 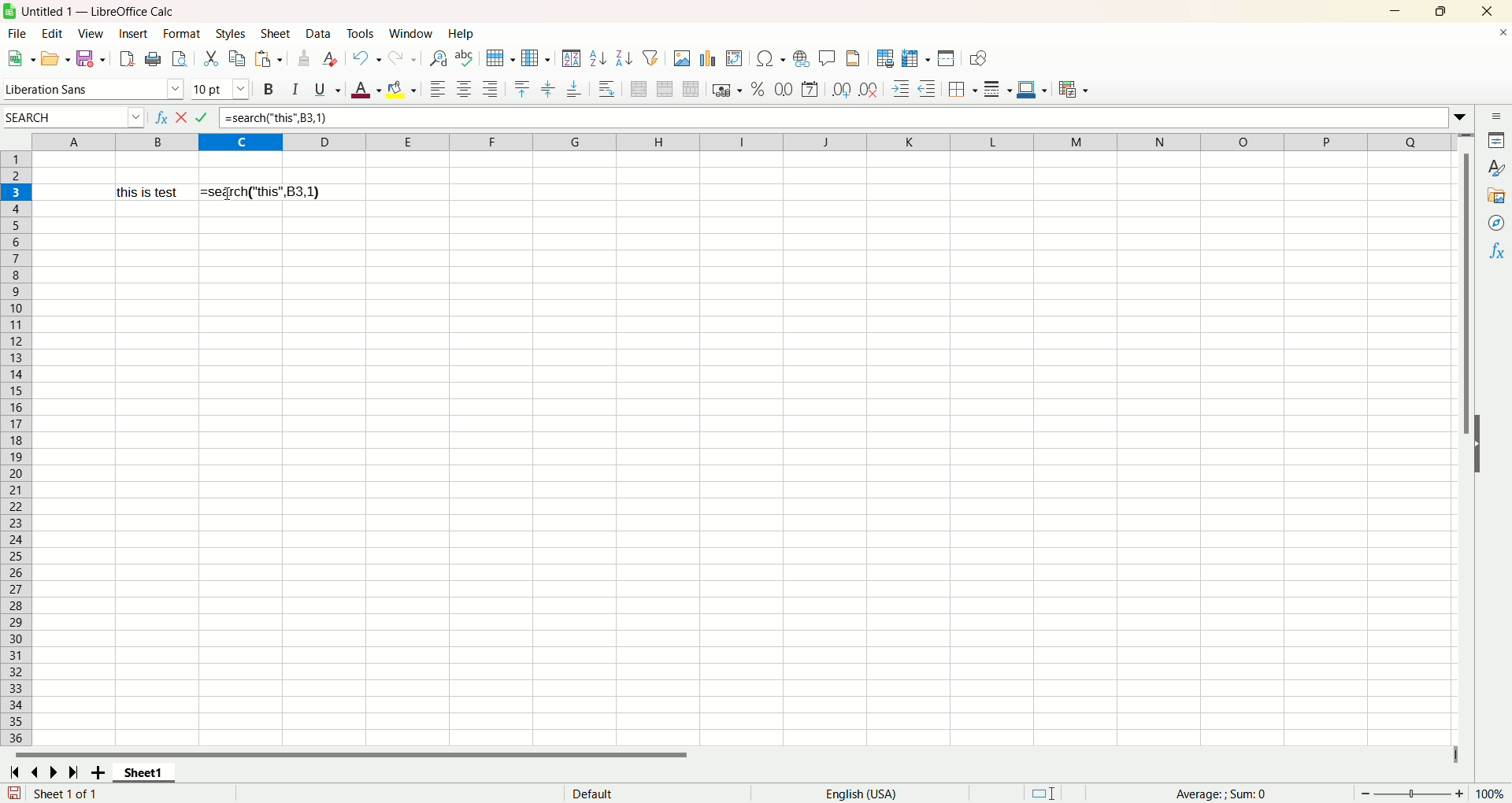 What do you see at coordinates (368, 91) in the screenshot?
I see `text color` at bounding box center [368, 91].